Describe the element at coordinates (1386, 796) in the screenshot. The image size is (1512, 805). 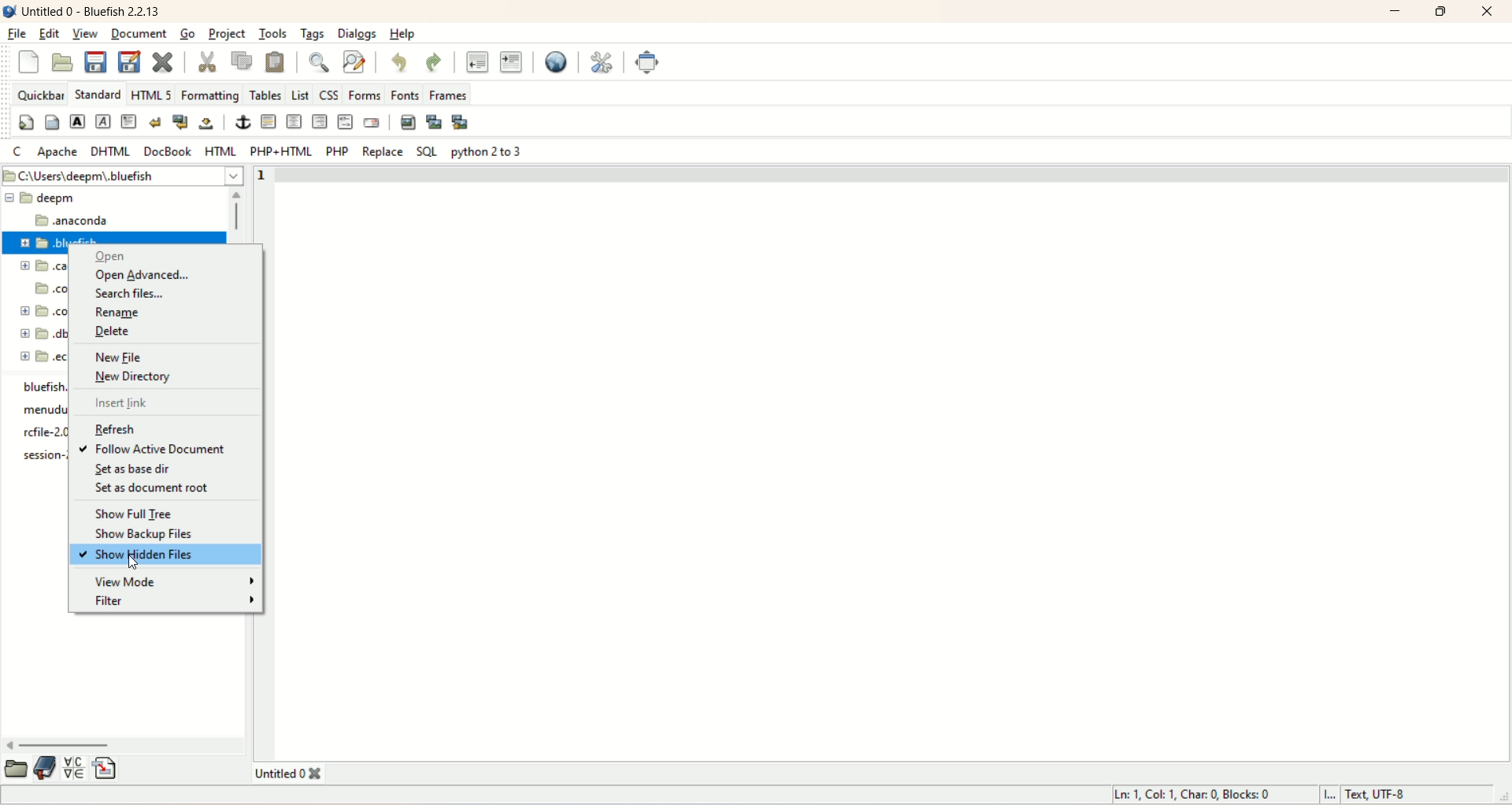
I see `text, UTF-8` at that location.